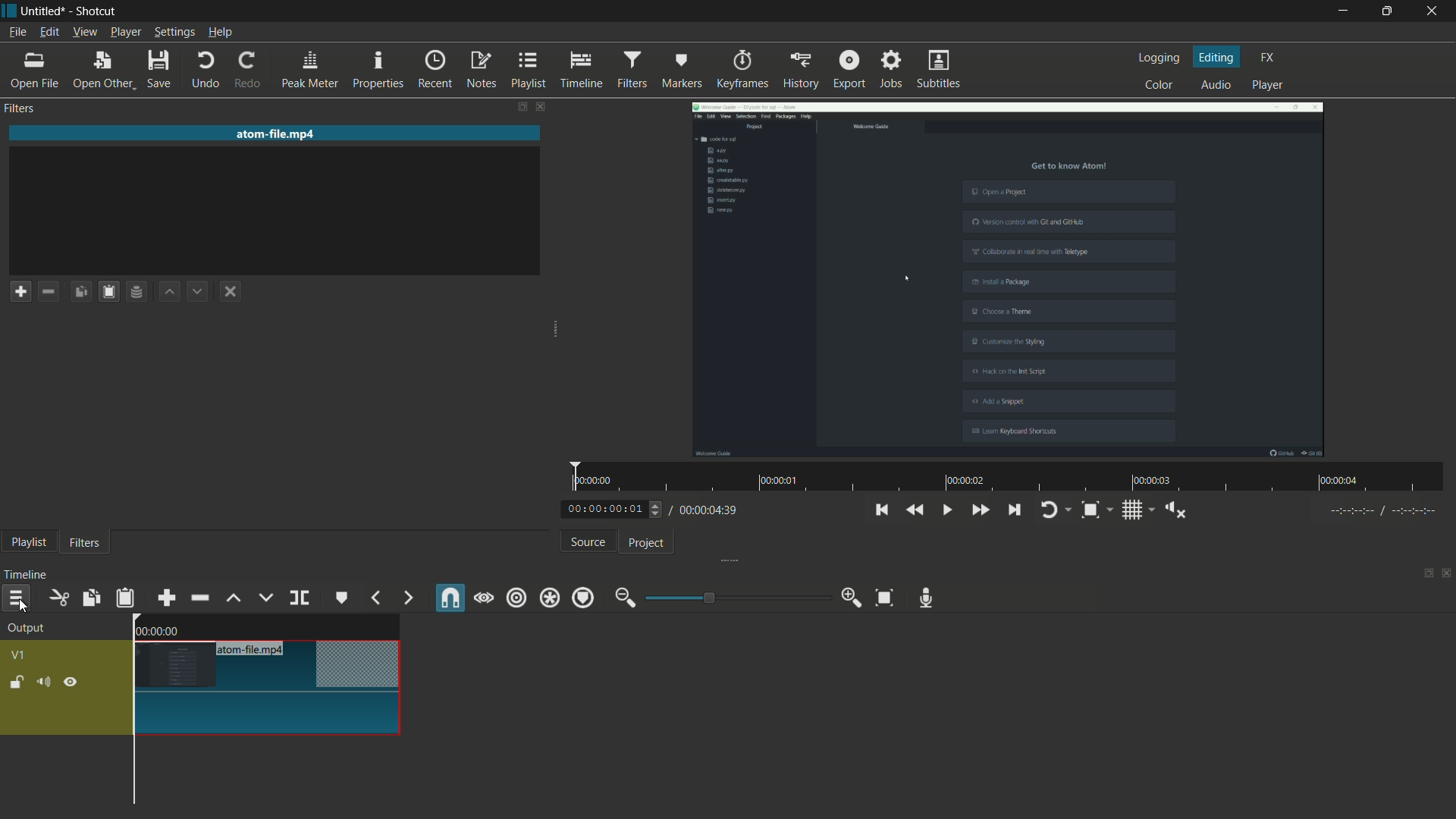  Describe the element at coordinates (21, 108) in the screenshot. I see `filters` at that location.